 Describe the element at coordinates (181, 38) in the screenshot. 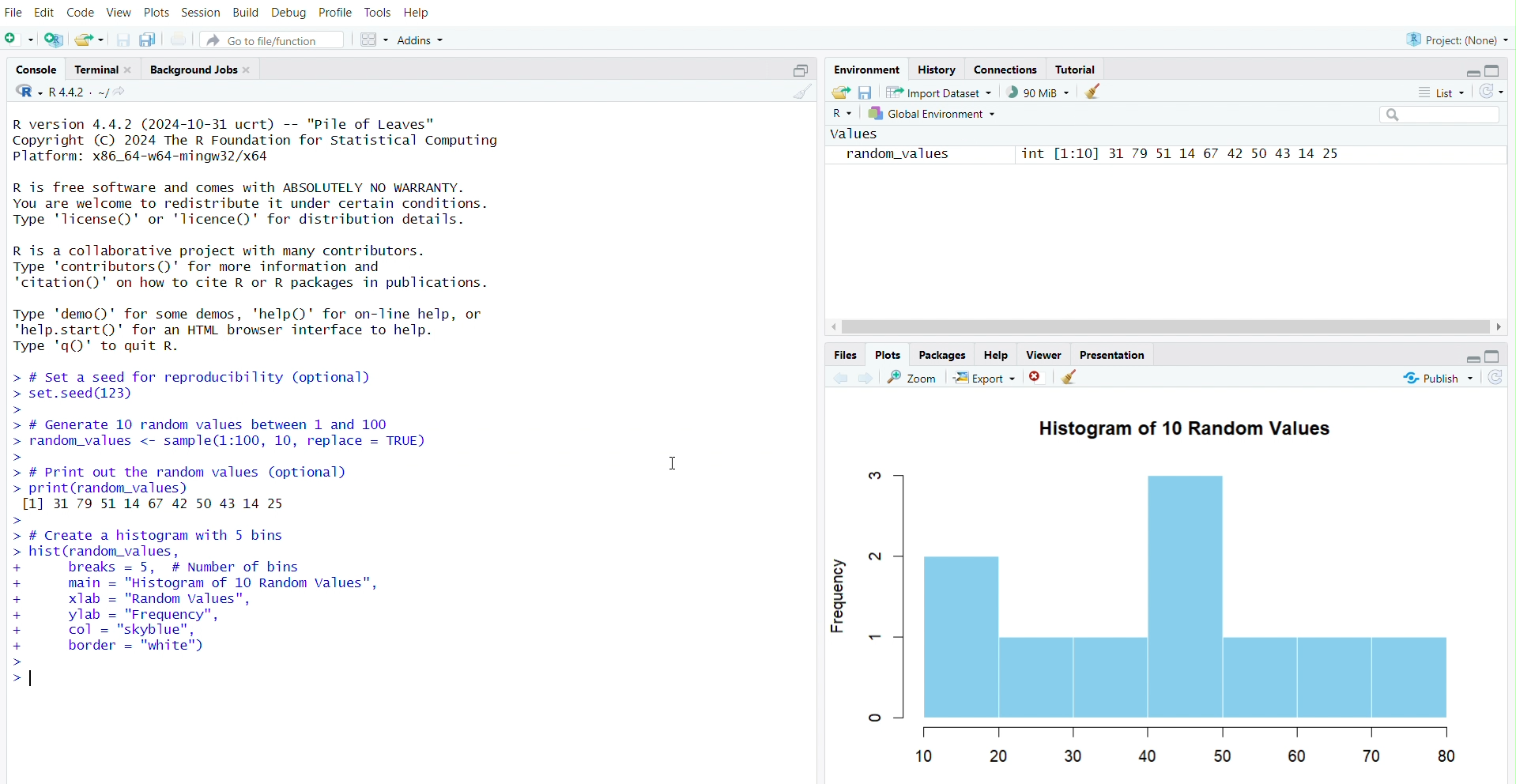

I see `print the current file` at that location.